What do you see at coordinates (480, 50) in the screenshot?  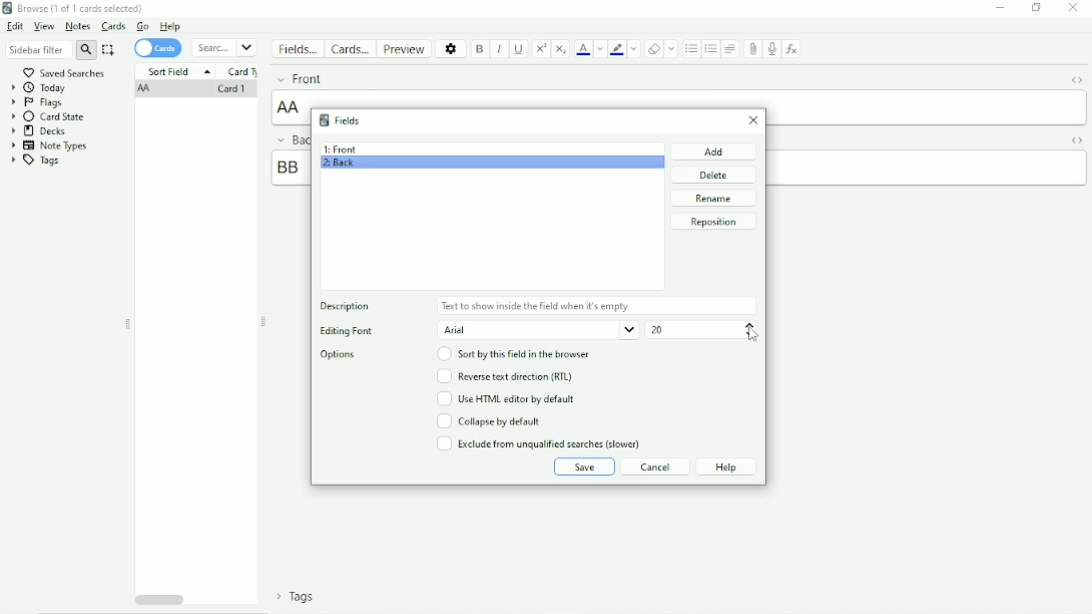 I see `Bold` at bounding box center [480, 50].